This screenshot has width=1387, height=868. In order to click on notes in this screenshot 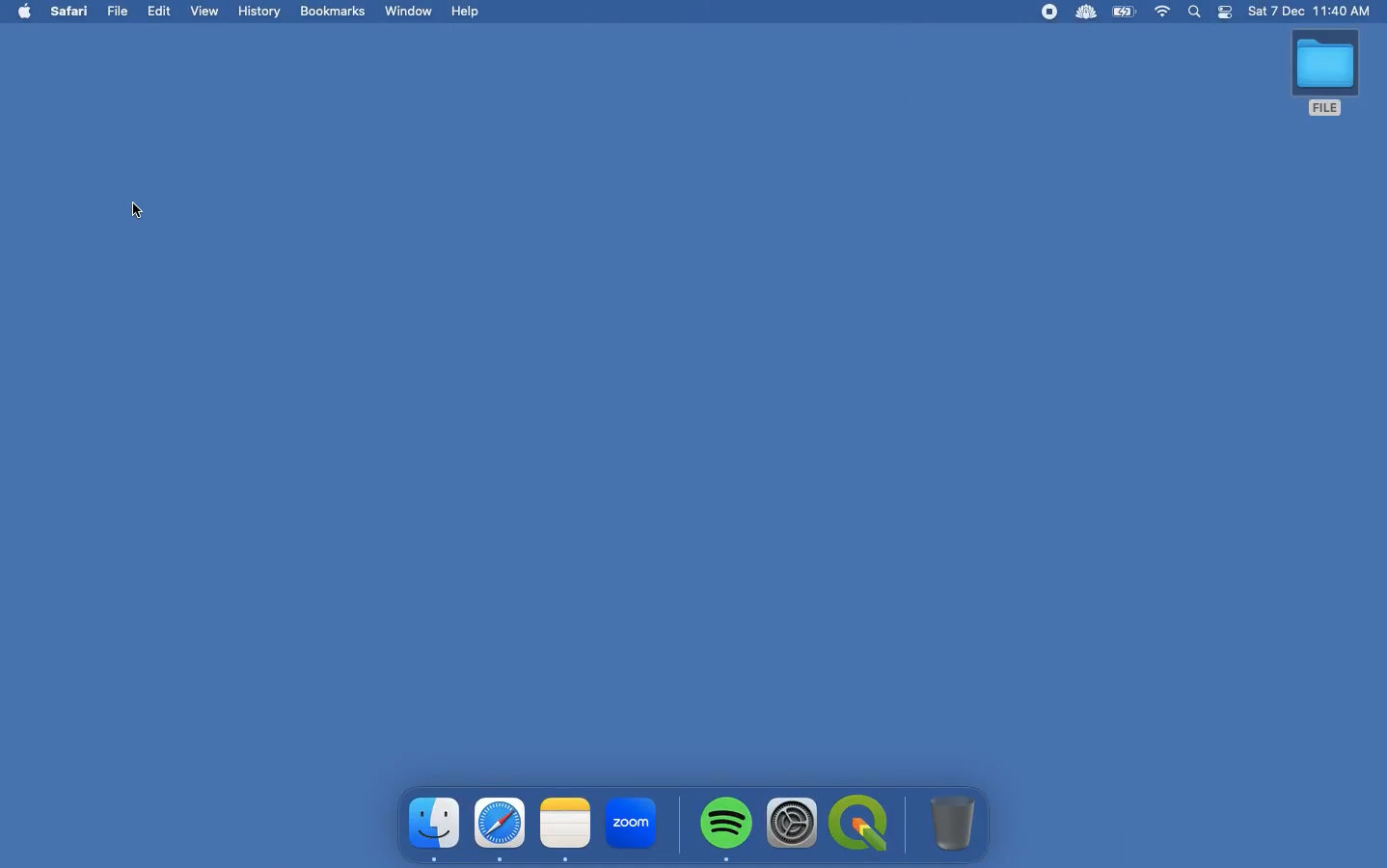, I will do `click(562, 829)`.